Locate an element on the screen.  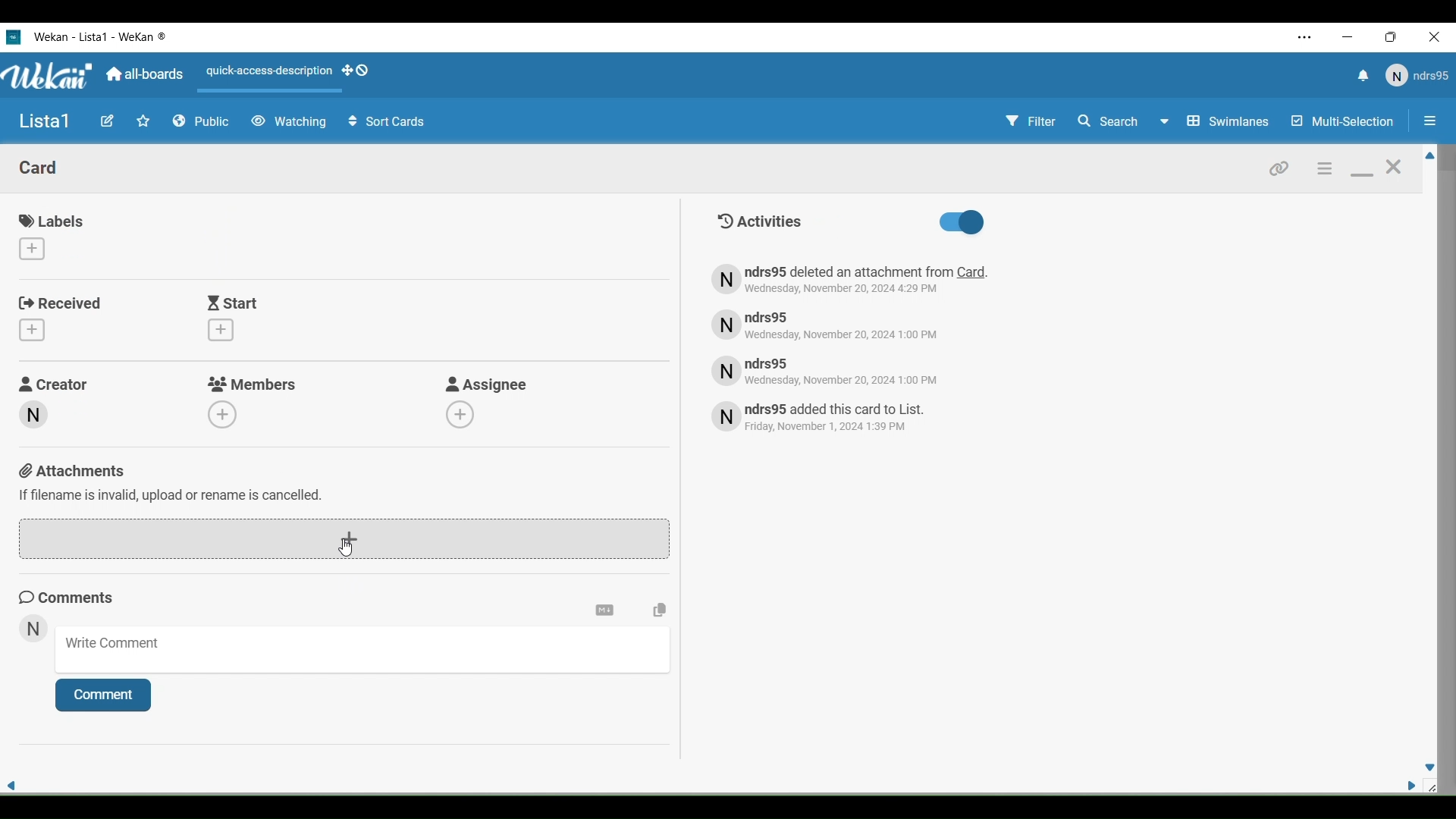
Text is located at coordinates (852, 280).